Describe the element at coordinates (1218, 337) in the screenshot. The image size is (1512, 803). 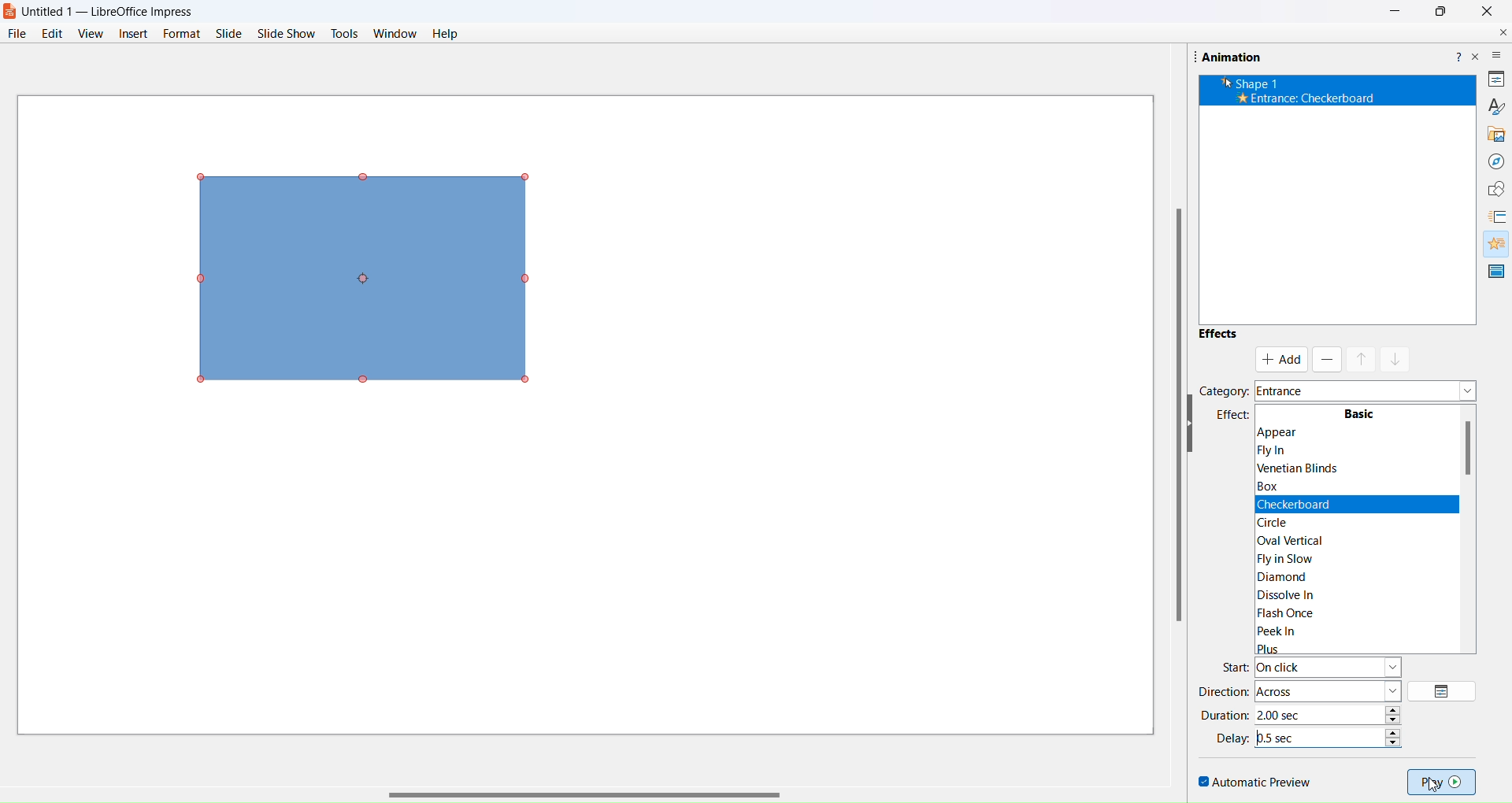
I see `effects` at that location.